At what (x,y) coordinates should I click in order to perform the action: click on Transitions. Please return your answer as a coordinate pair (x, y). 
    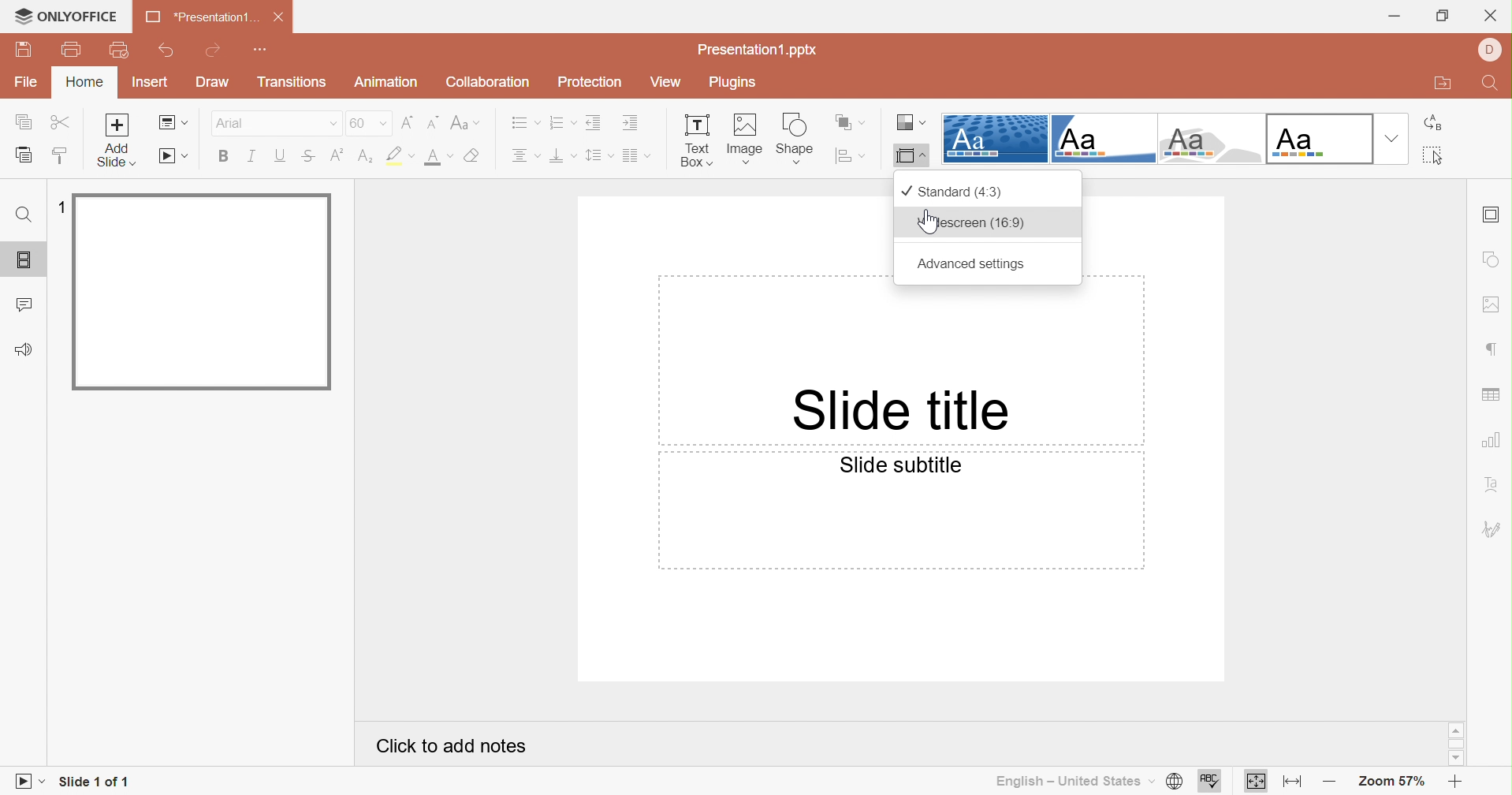
    Looking at the image, I should click on (289, 82).